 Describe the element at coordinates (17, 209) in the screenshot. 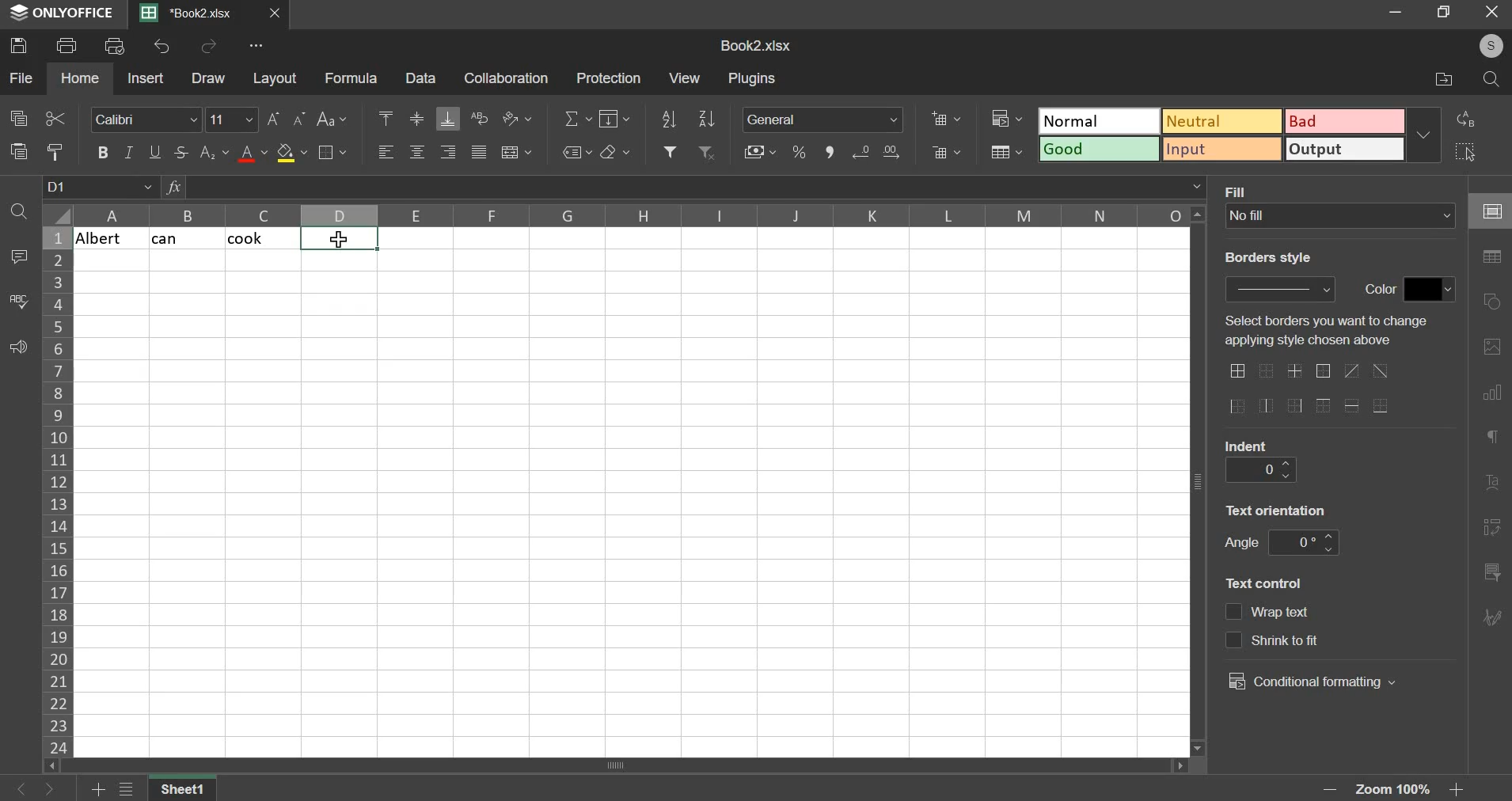

I see `find` at that location.